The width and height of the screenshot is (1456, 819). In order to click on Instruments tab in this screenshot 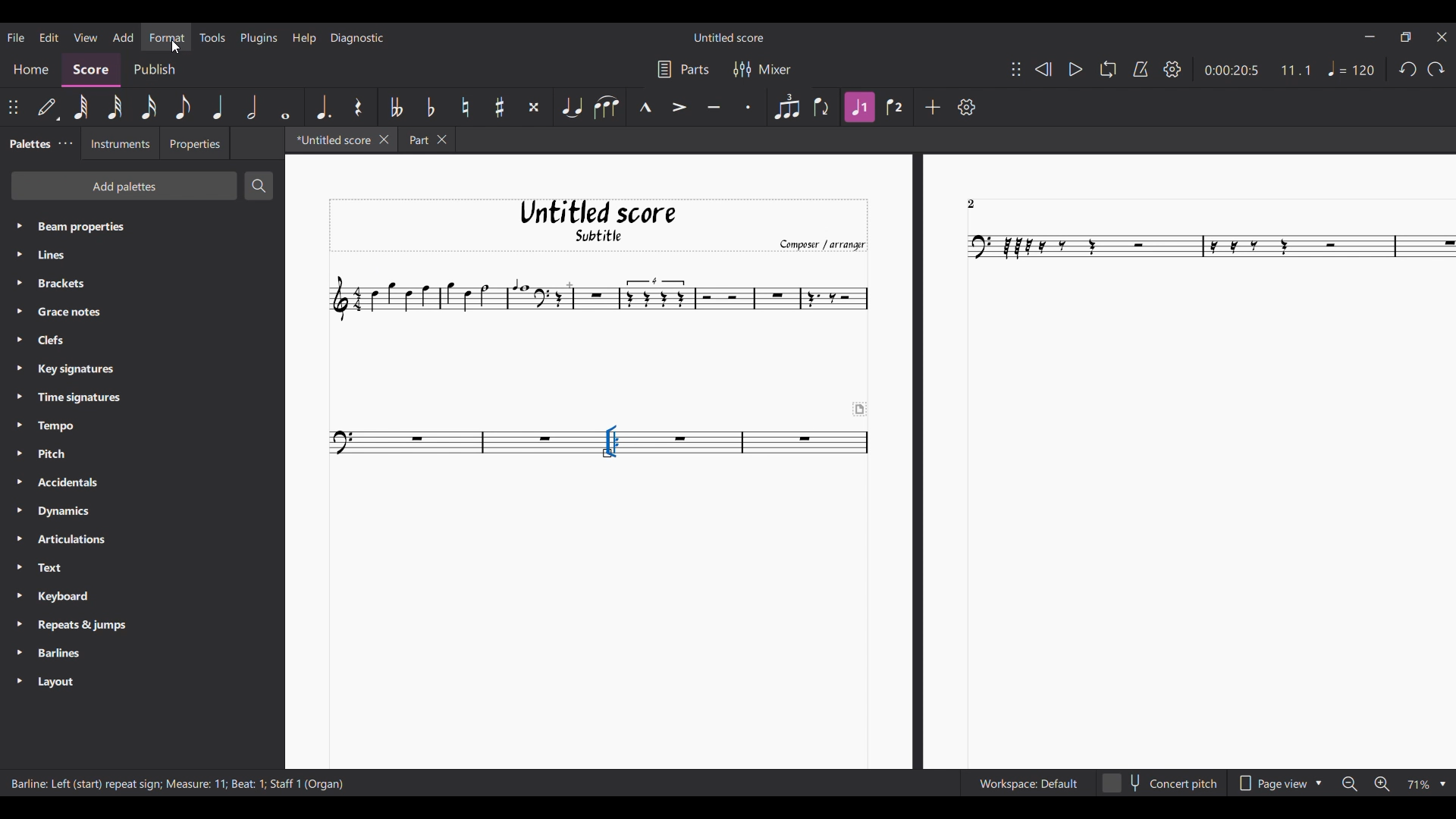, I will do `click(120, 143)`.